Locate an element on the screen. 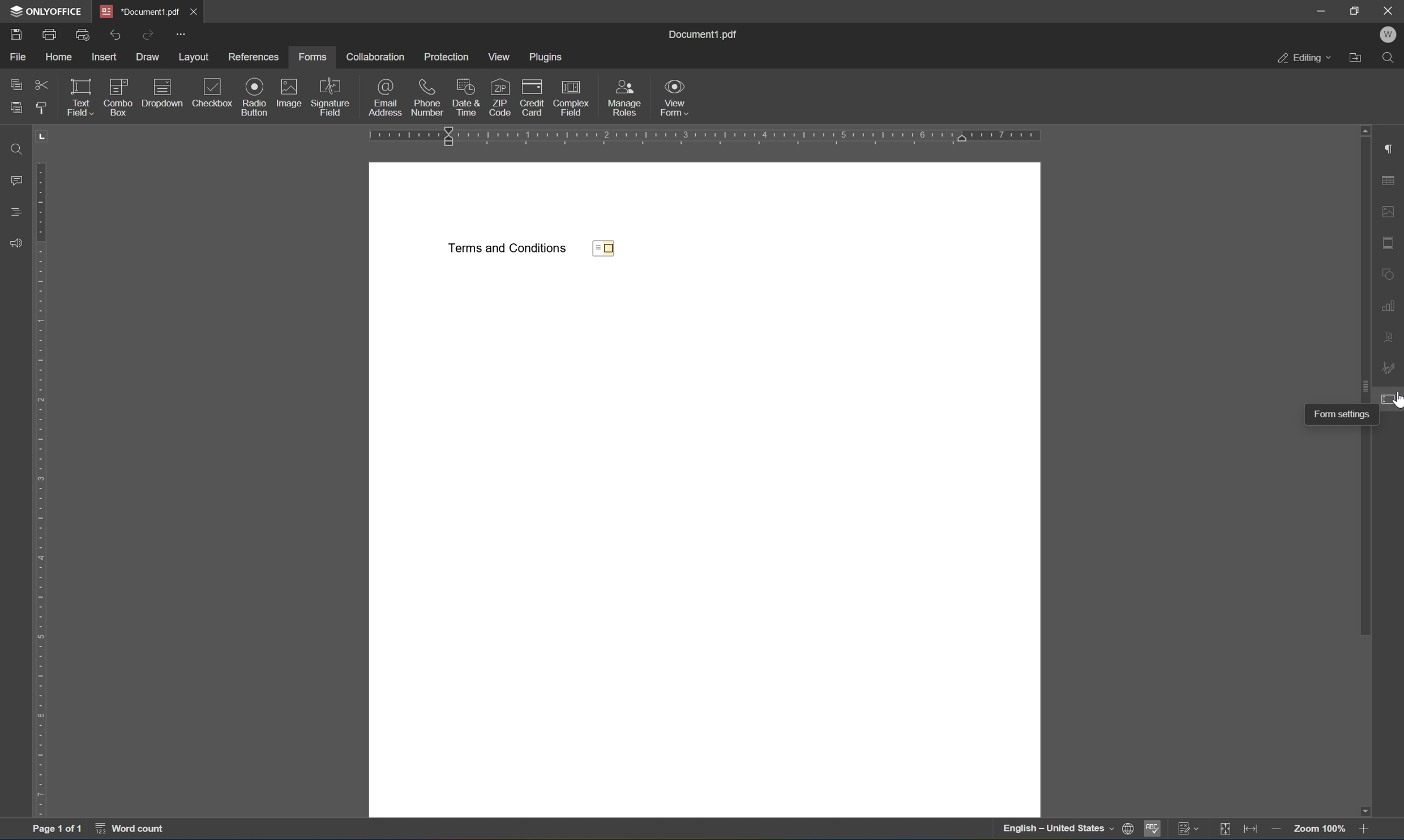 This screenshot has width=1404, height=840. fit to slide is located at coordinates (1222, 830).